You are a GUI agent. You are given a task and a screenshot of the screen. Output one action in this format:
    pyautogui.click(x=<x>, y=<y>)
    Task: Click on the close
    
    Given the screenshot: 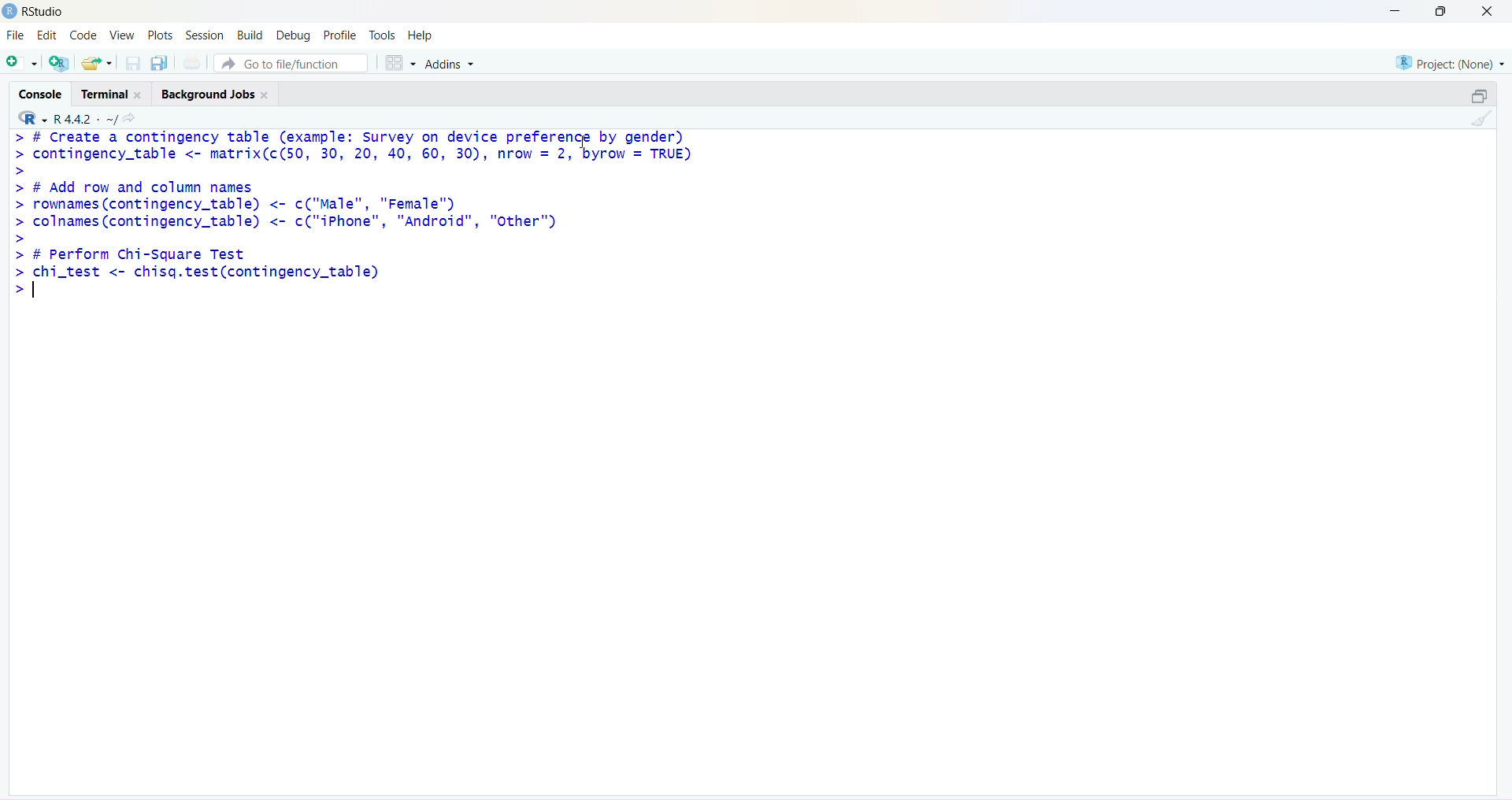 What is the action you would take?
    pyautogui.click(x=139, y=95)
    